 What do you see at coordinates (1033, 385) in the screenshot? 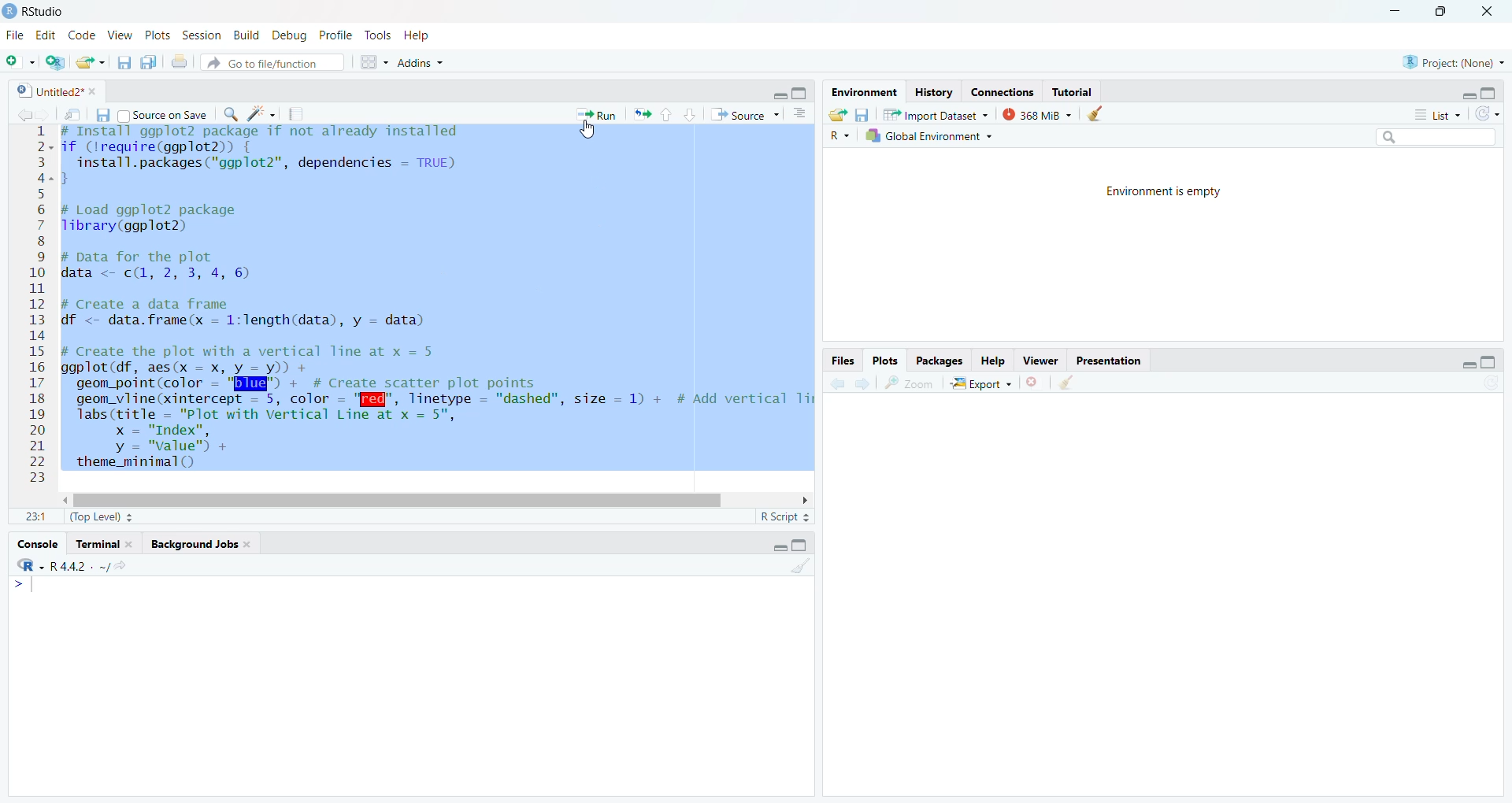
I see `close` at bounding box center [1033, 385].